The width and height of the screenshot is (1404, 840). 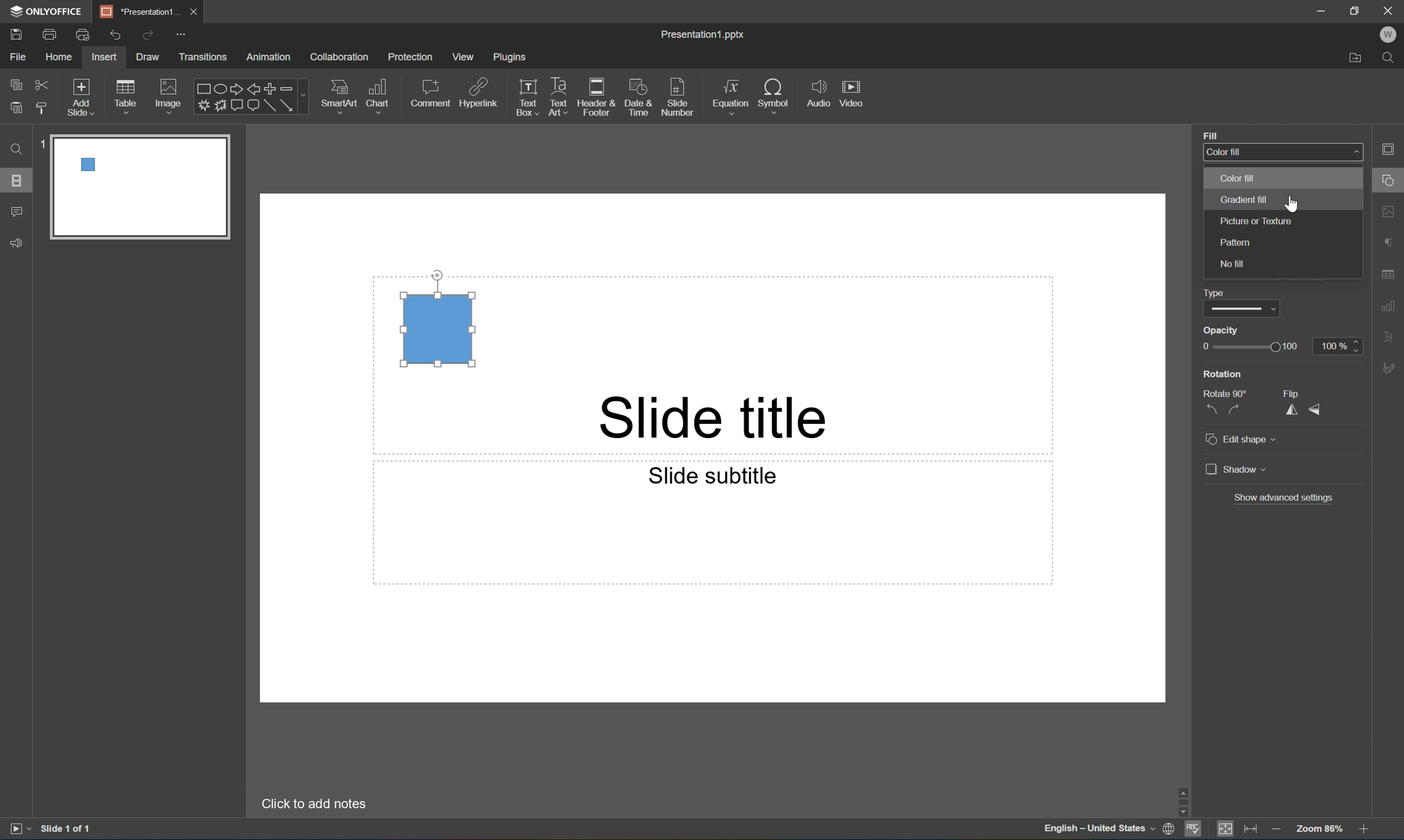 What do you see at coordinates (140, 188) in the screenshot?
I see `slide` at bounding box center [140, 188].